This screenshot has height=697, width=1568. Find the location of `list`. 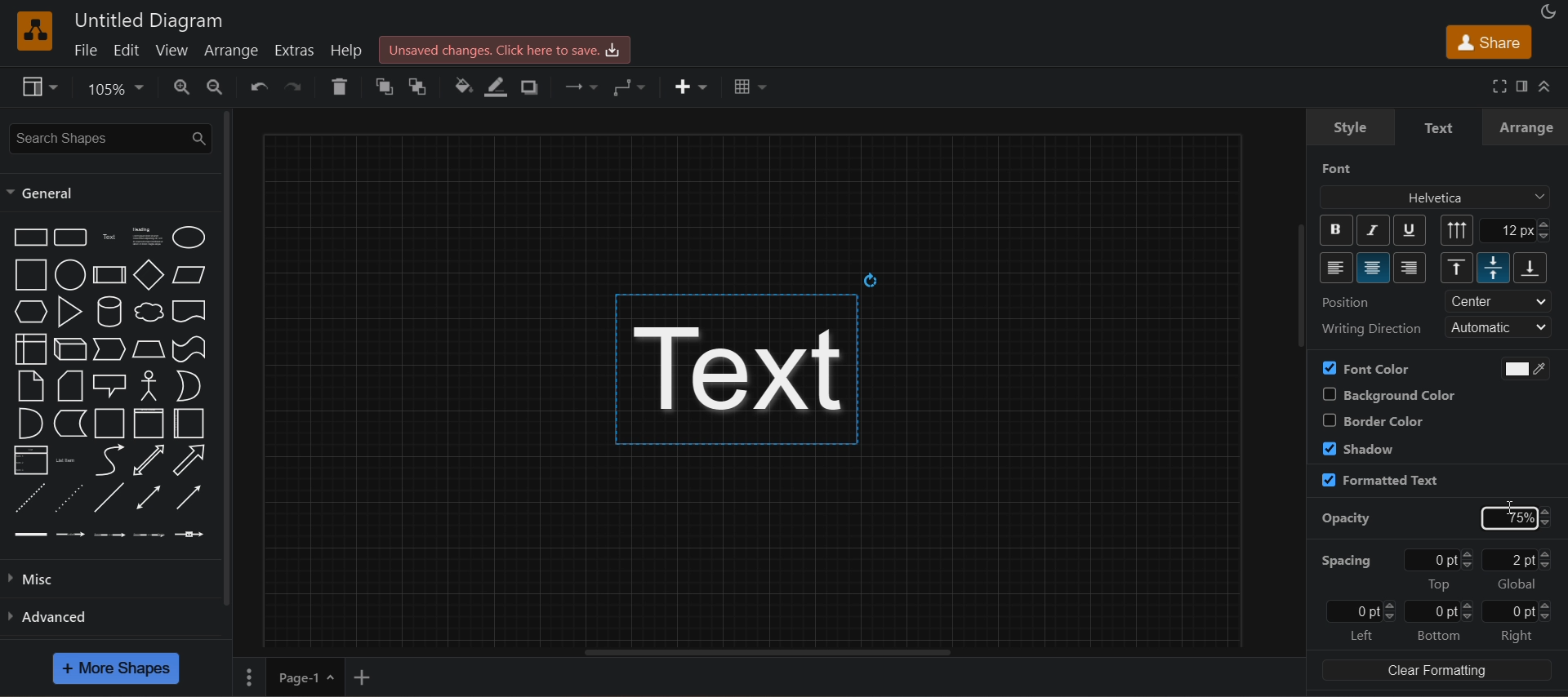

list is located at coordinates (31, 459).